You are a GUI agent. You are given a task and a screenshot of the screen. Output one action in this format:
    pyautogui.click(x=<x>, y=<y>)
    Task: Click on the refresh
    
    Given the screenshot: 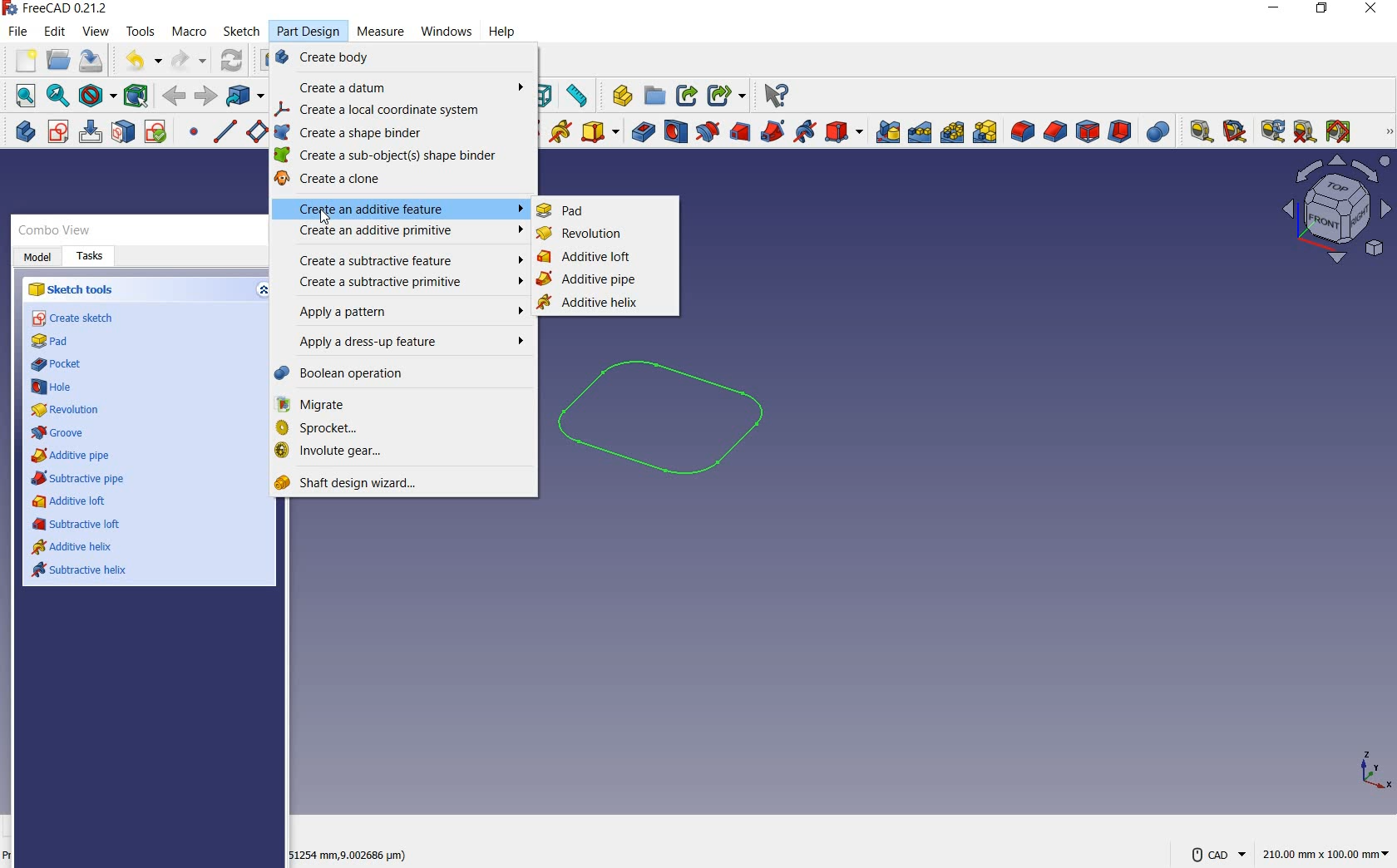 What is the action you would take?
    pyautogui.click(x=232, y=59)
    